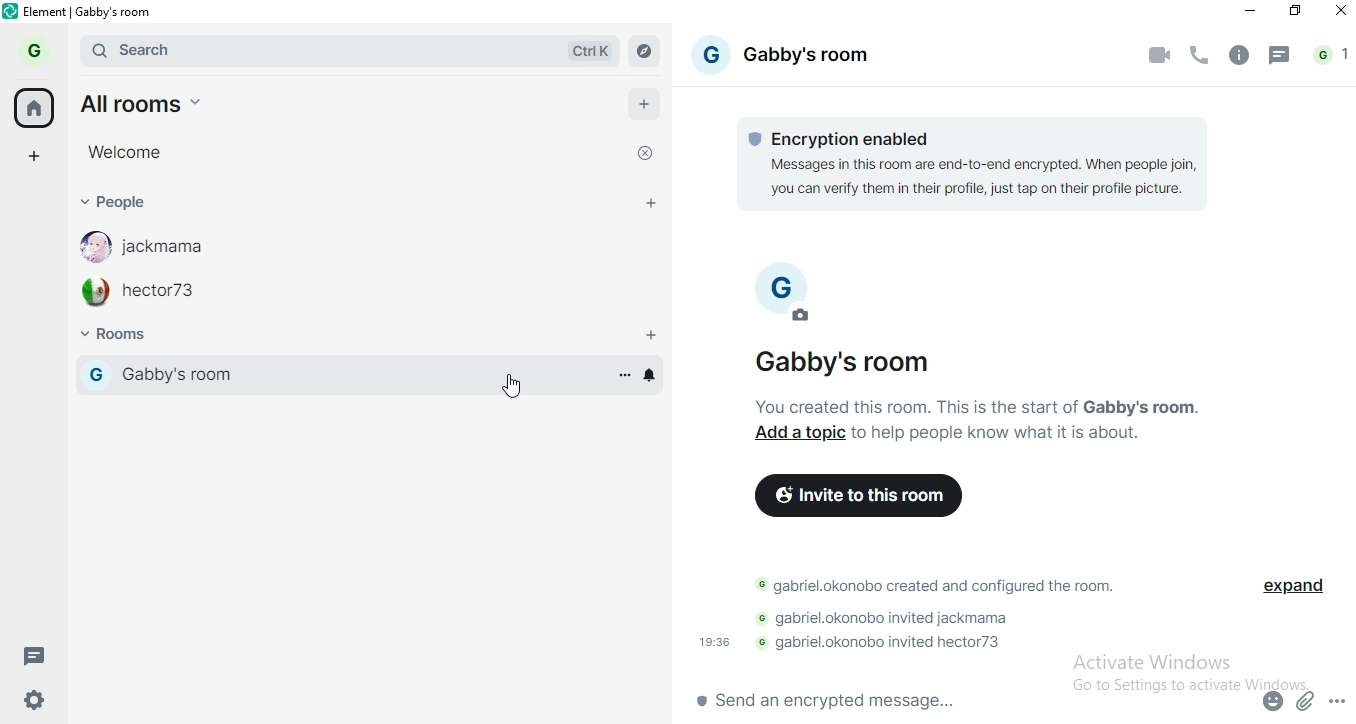  Describe the element at coordinates (40, 156) in the screenshot. I see `add space` at that location.